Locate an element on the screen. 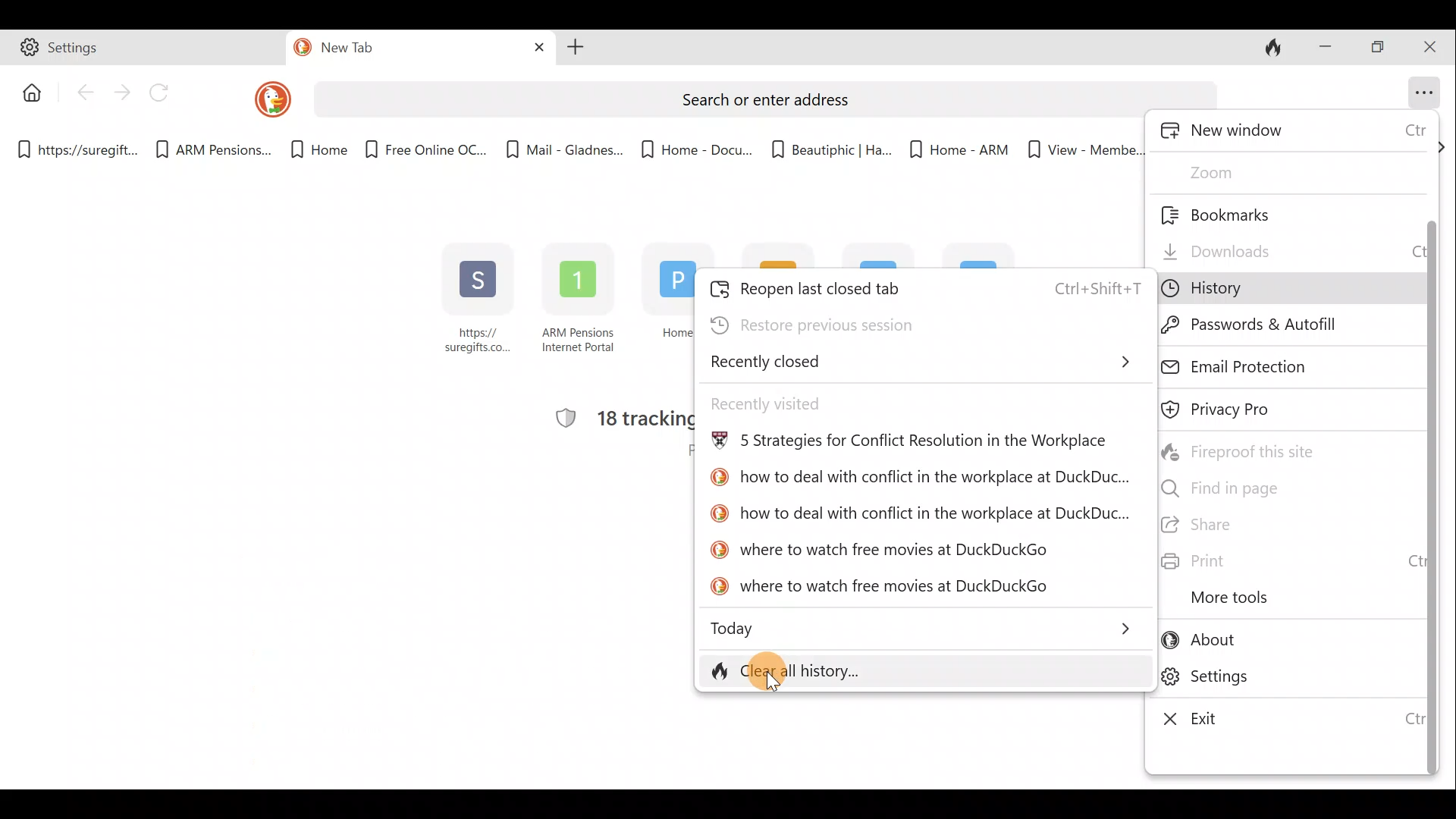  Print is located at coordinates (1285, 562).